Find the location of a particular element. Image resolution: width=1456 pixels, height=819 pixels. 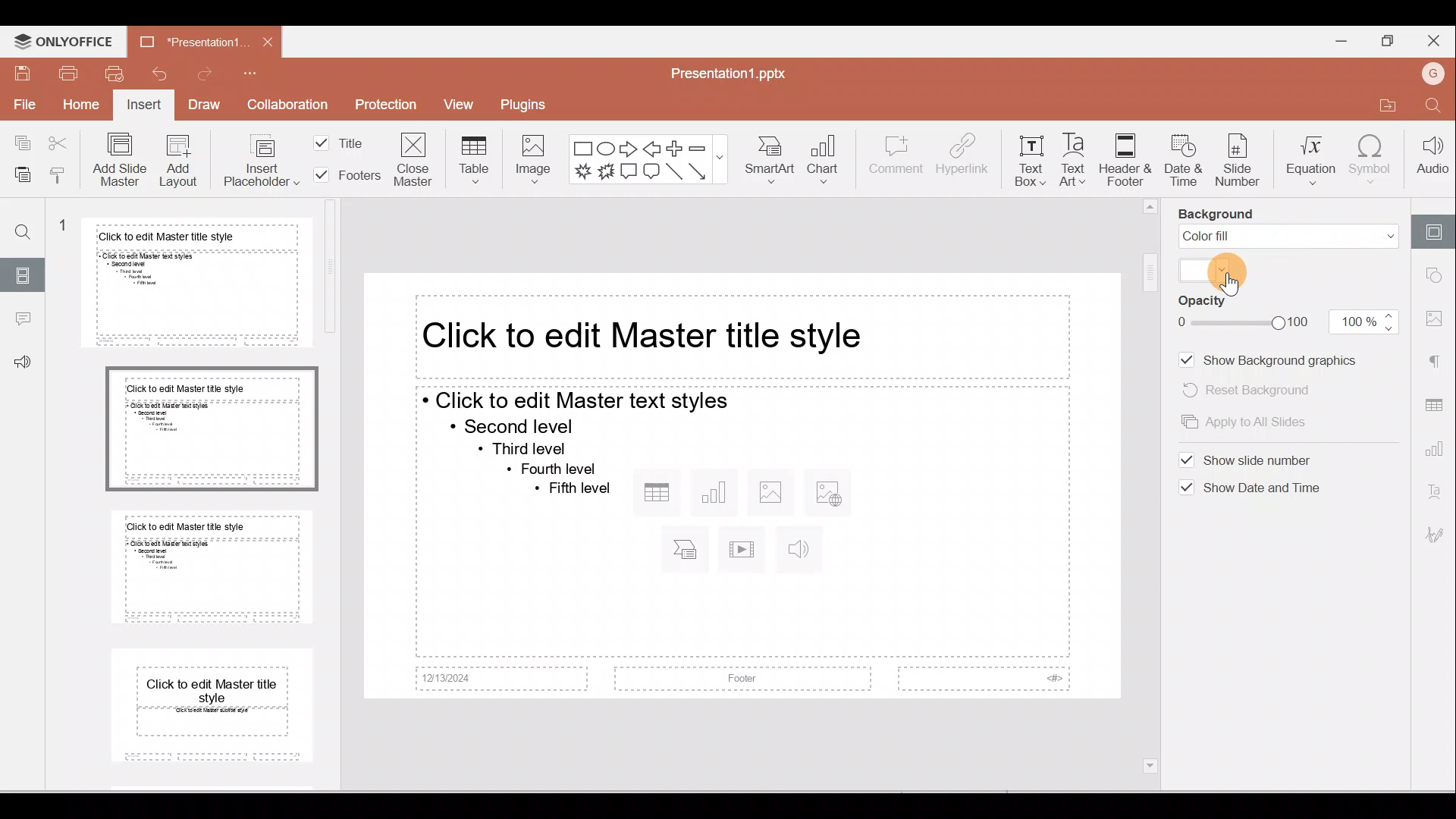

Print file is located at coordinates (67, 74).